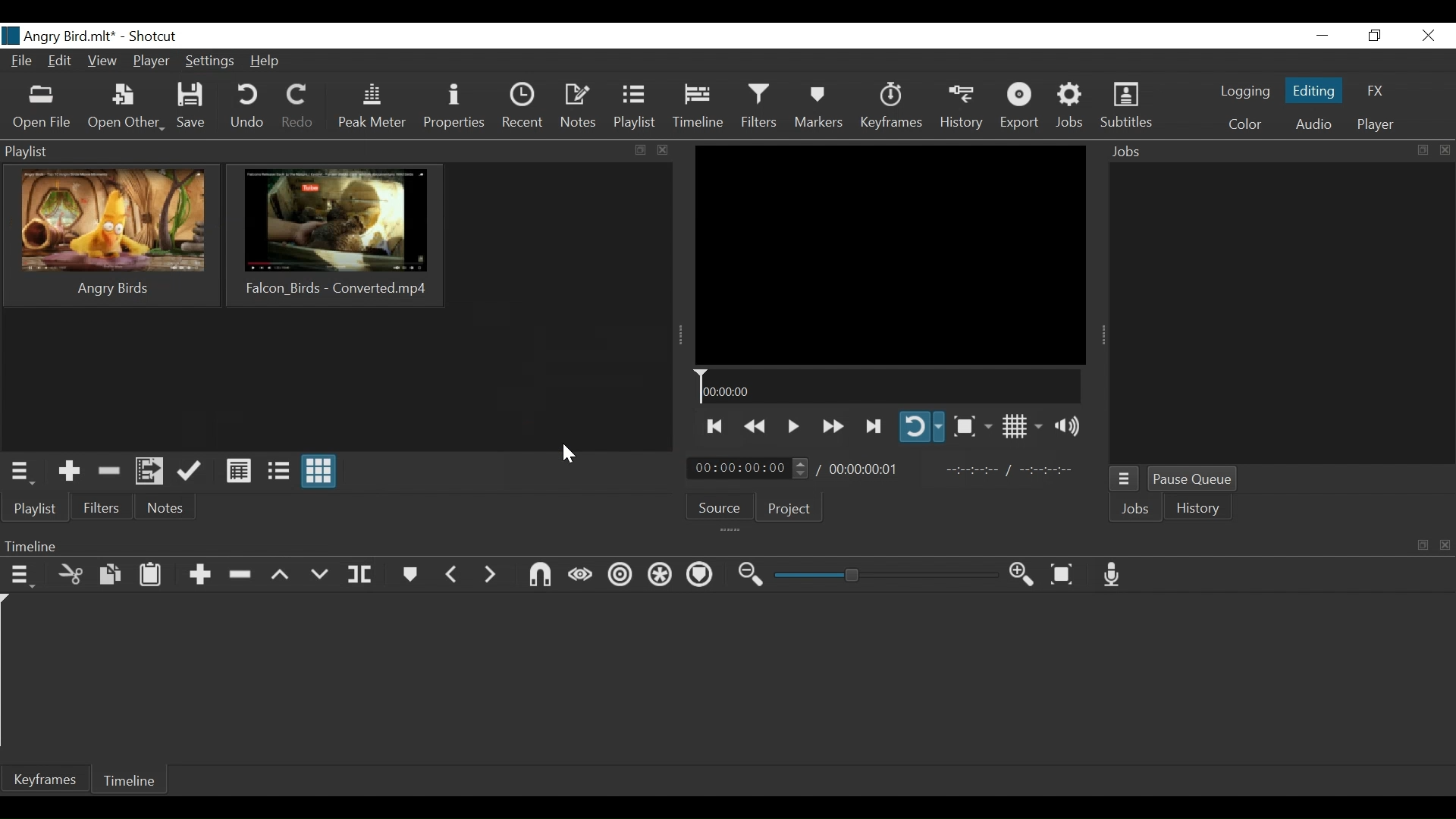 The height and width of the screenshot is (819, 1456). Describe the element at coordinates (240, 471) in the screenshot. I see `View as Detail` at that location.